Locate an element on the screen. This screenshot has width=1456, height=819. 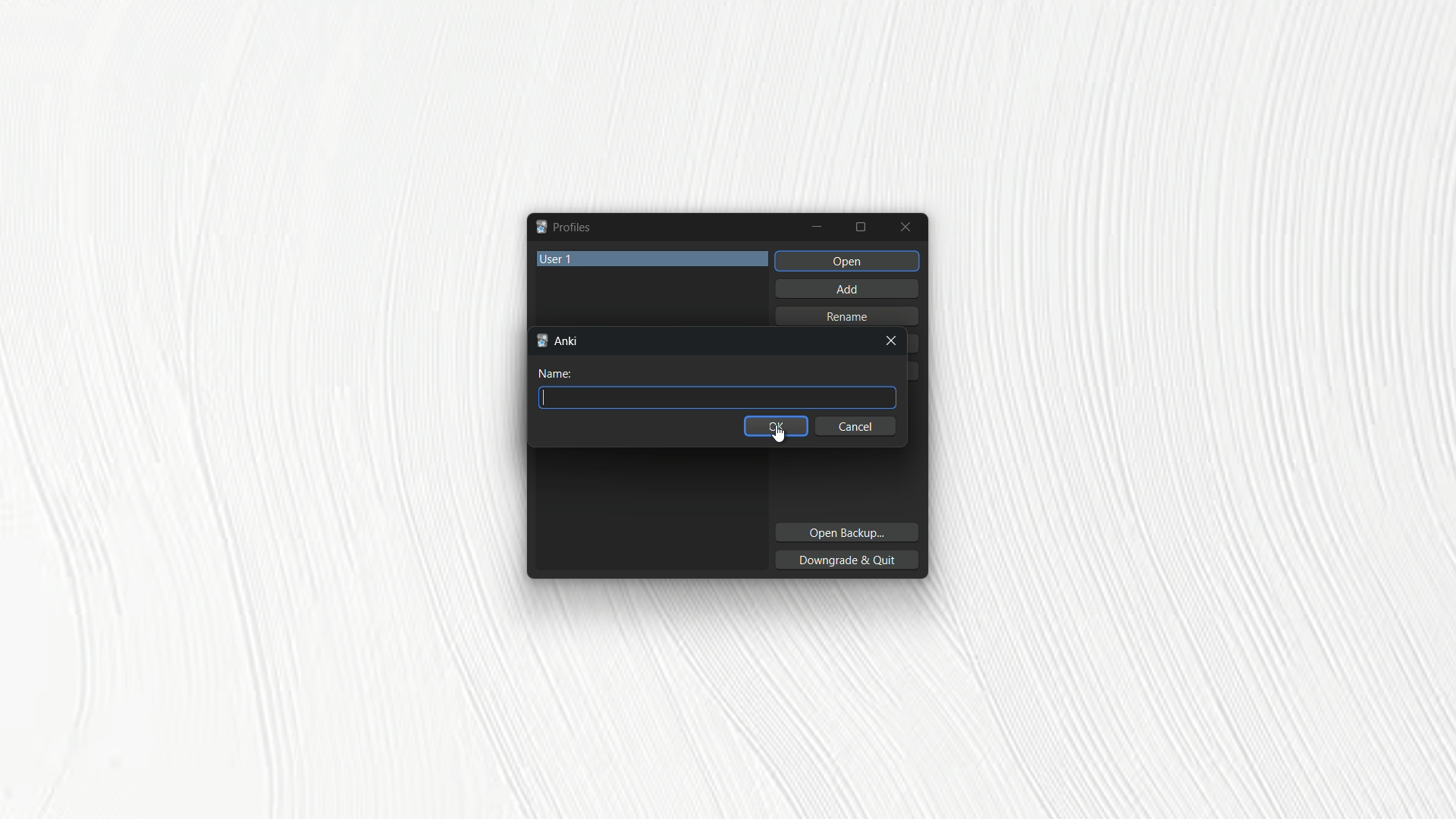
Downgrade and quit is located at coordinates (849, 559).